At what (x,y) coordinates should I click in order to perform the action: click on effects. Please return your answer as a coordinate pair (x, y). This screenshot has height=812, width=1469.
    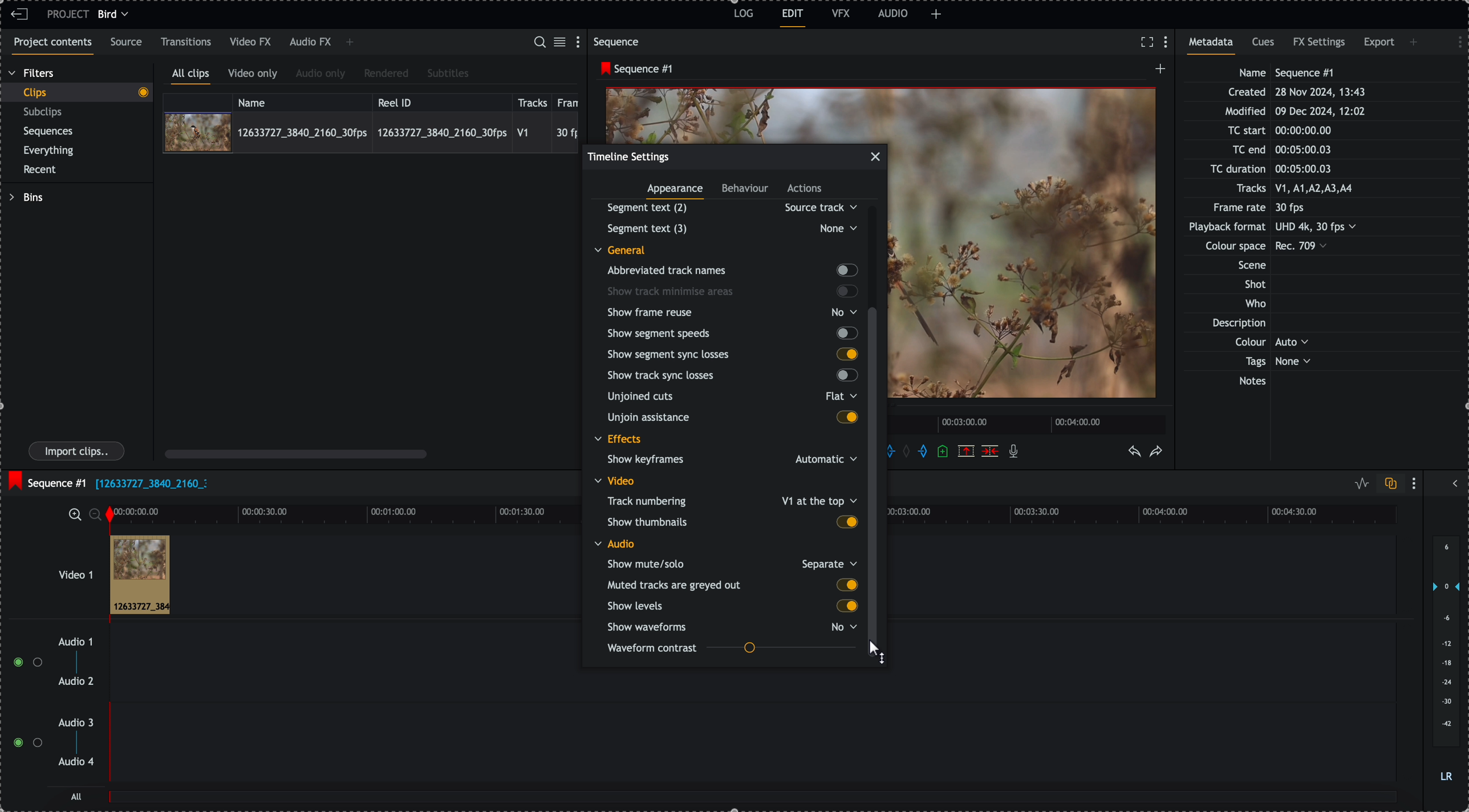
    Looking at the image, I should click on (619, 440).